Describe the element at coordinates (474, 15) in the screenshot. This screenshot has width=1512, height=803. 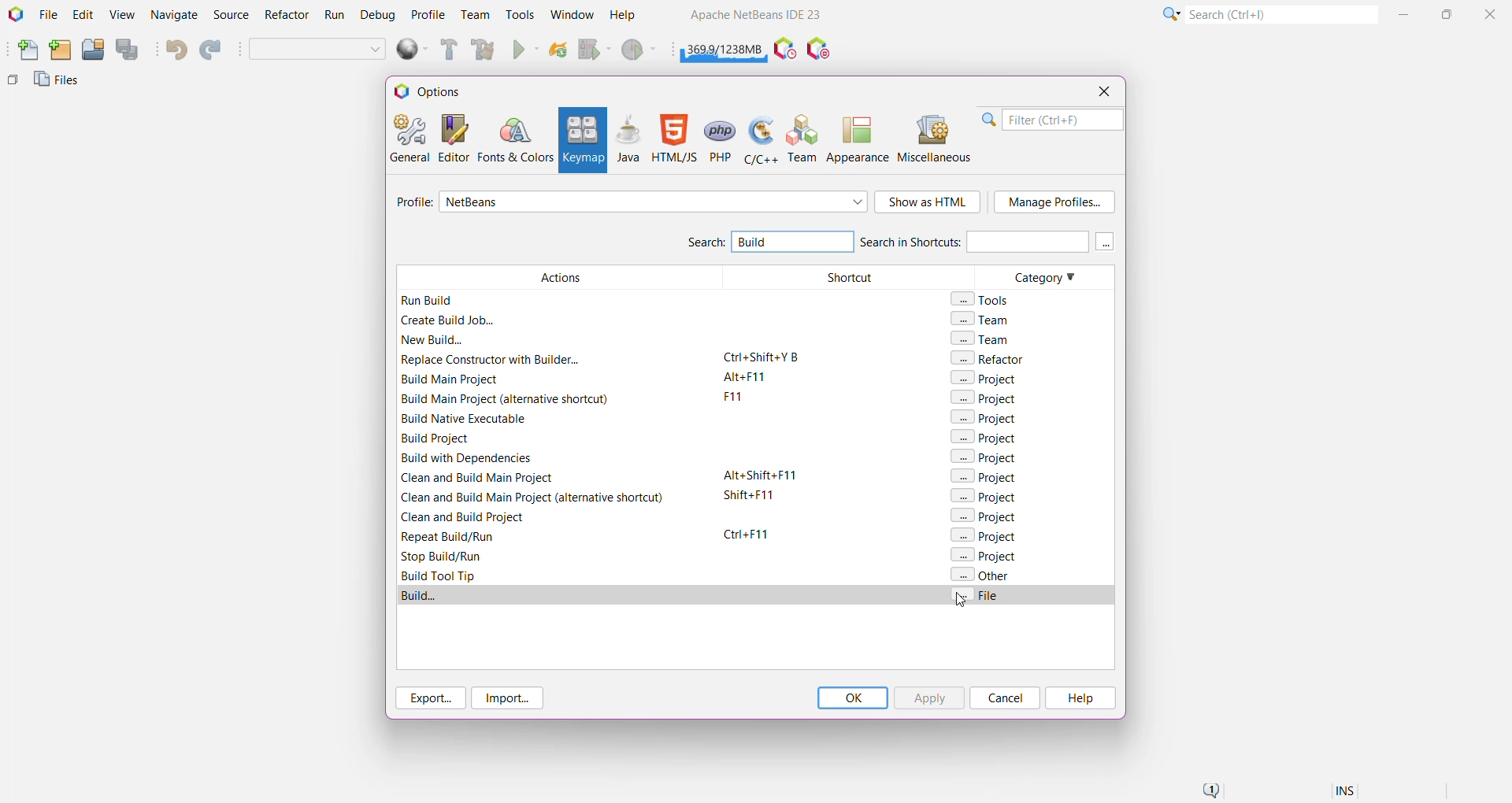
I see `Team` at that location.